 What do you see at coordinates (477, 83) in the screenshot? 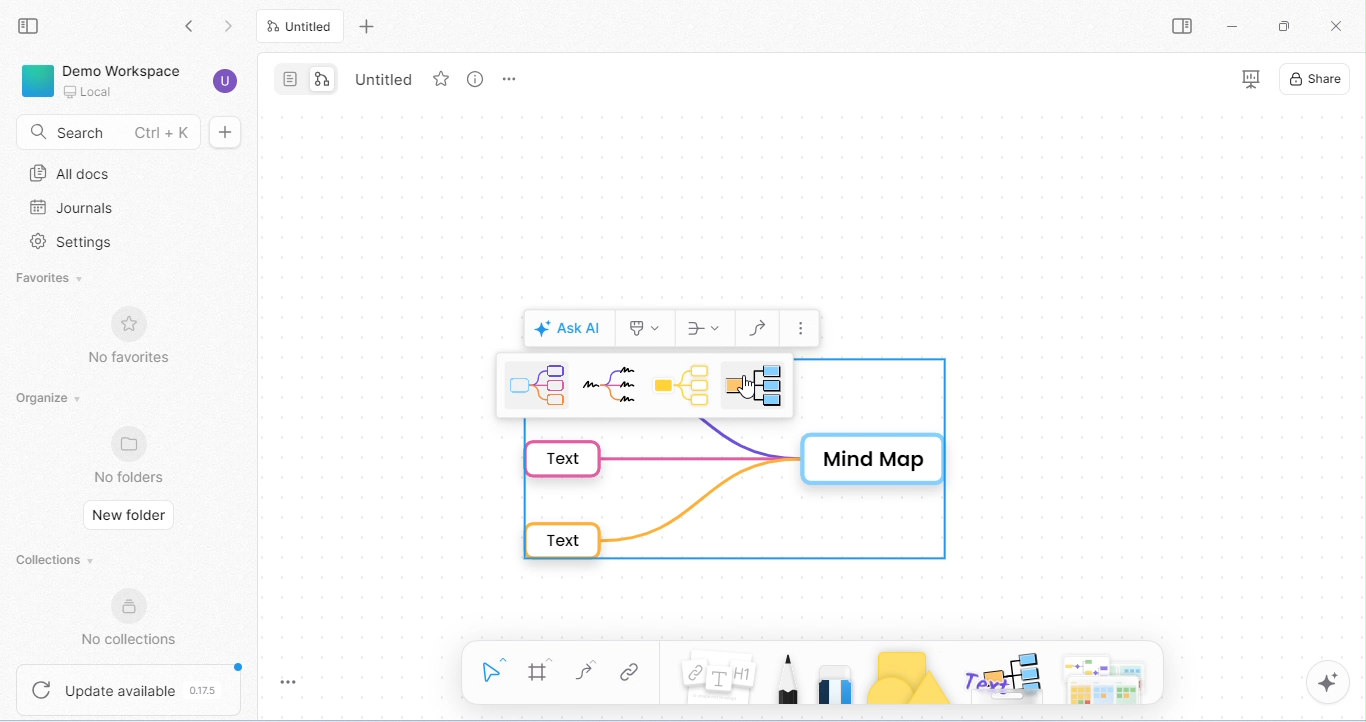
I see `view option` at bounding box center [477, 83].